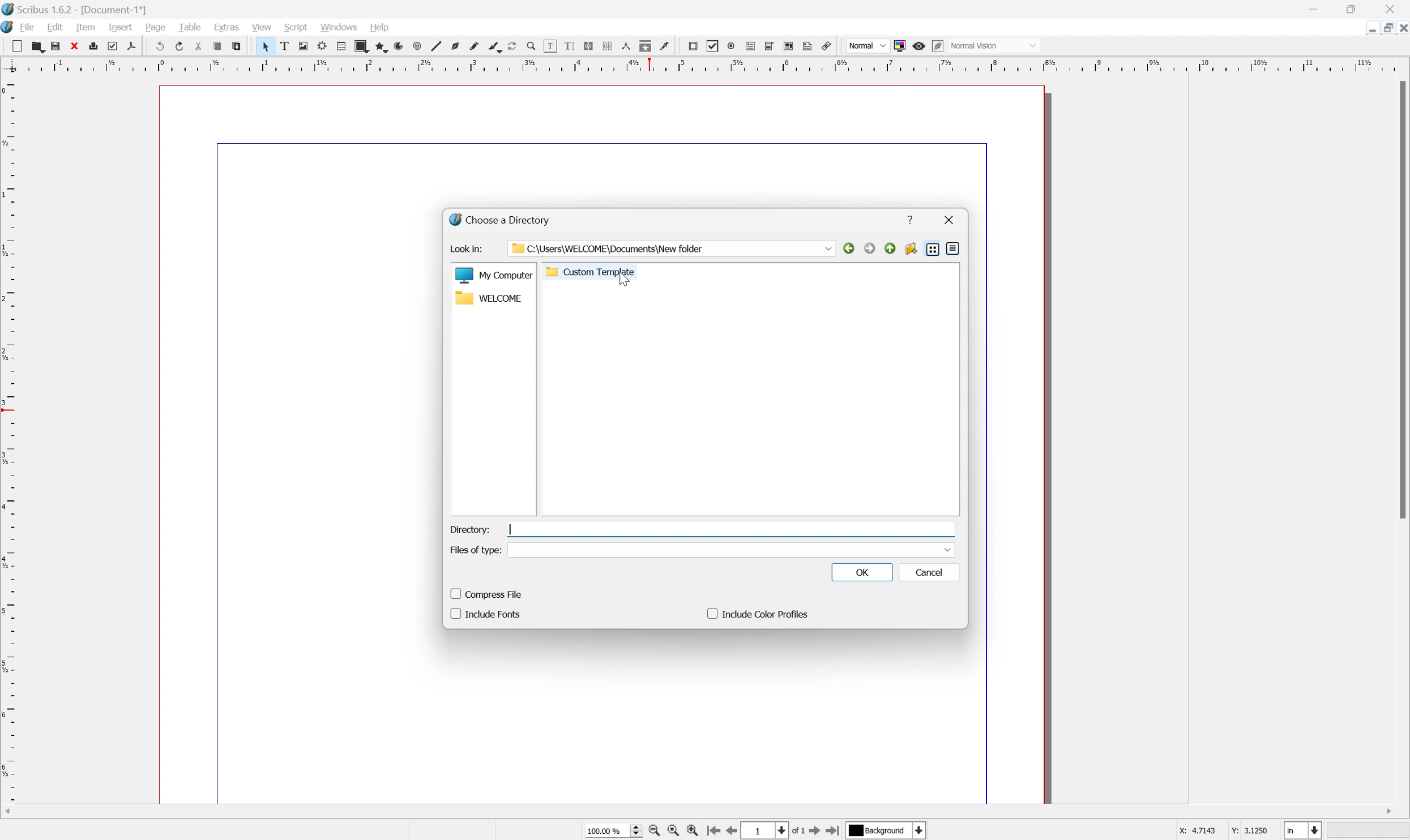  Describe the element at coordinates (646, 46) in the screenshot. I see `copy item properties` at that location.